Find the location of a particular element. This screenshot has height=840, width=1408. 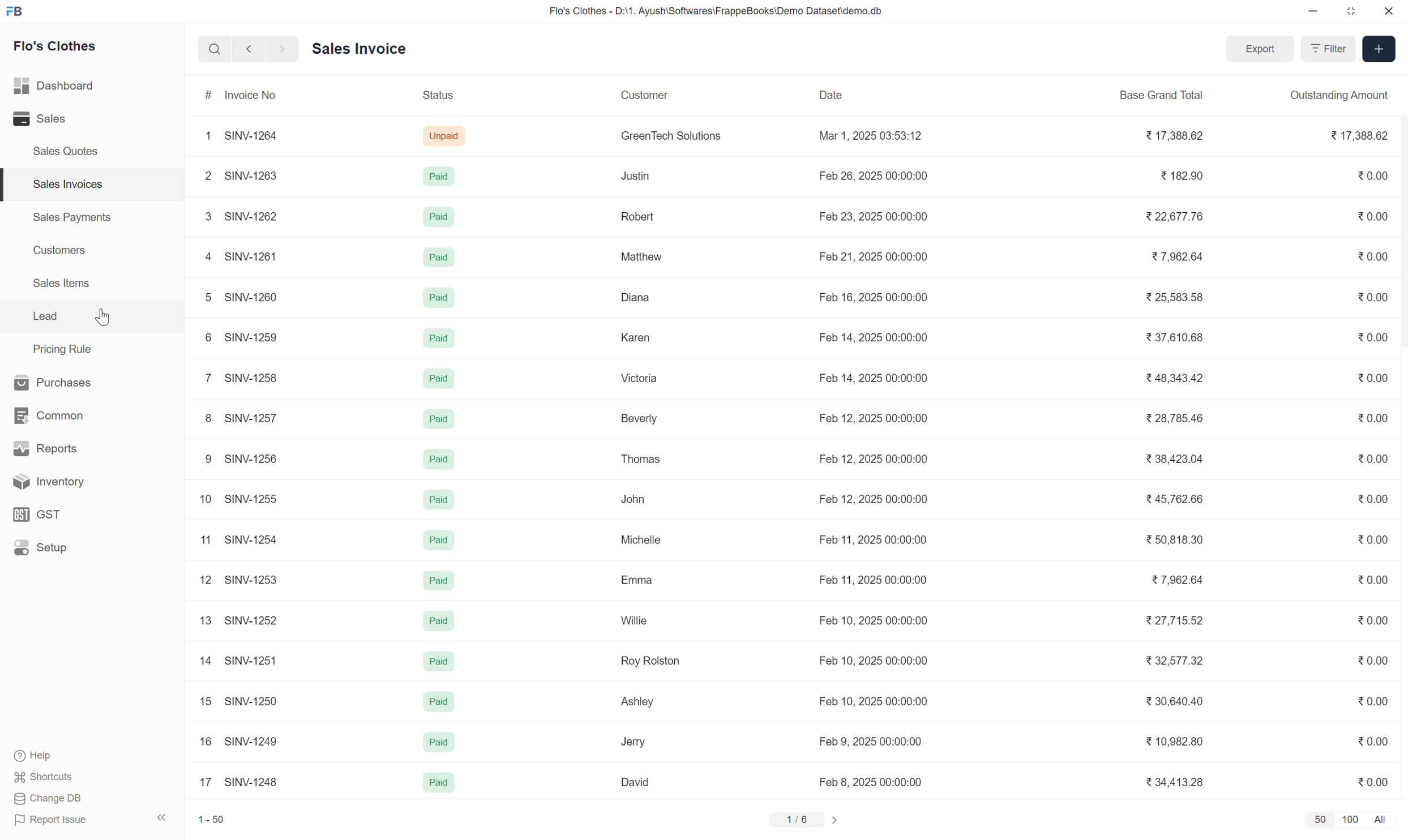

14 is located at coordinates (203, 659).